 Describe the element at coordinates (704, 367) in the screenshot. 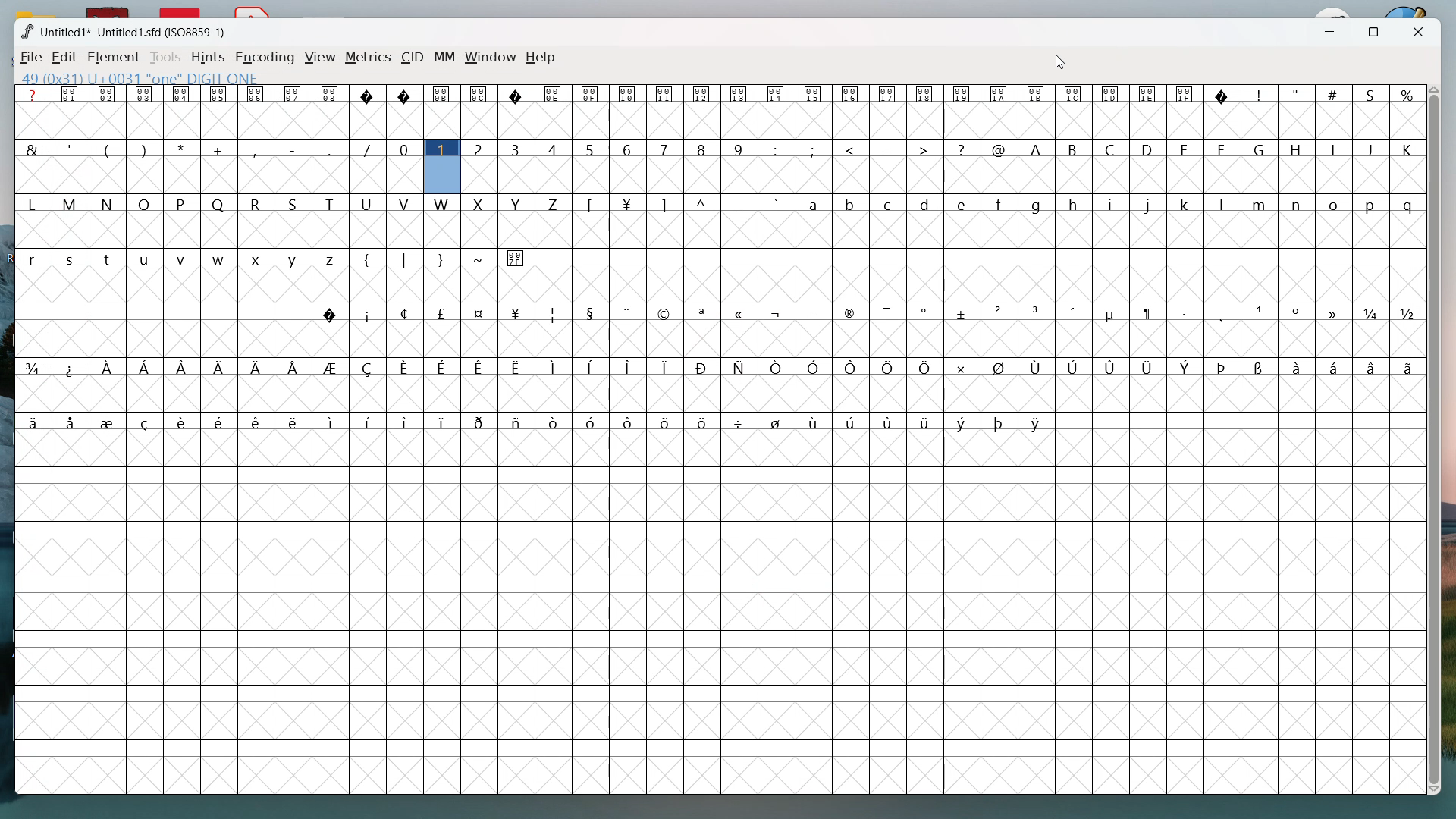

I see `symbol` at that location.